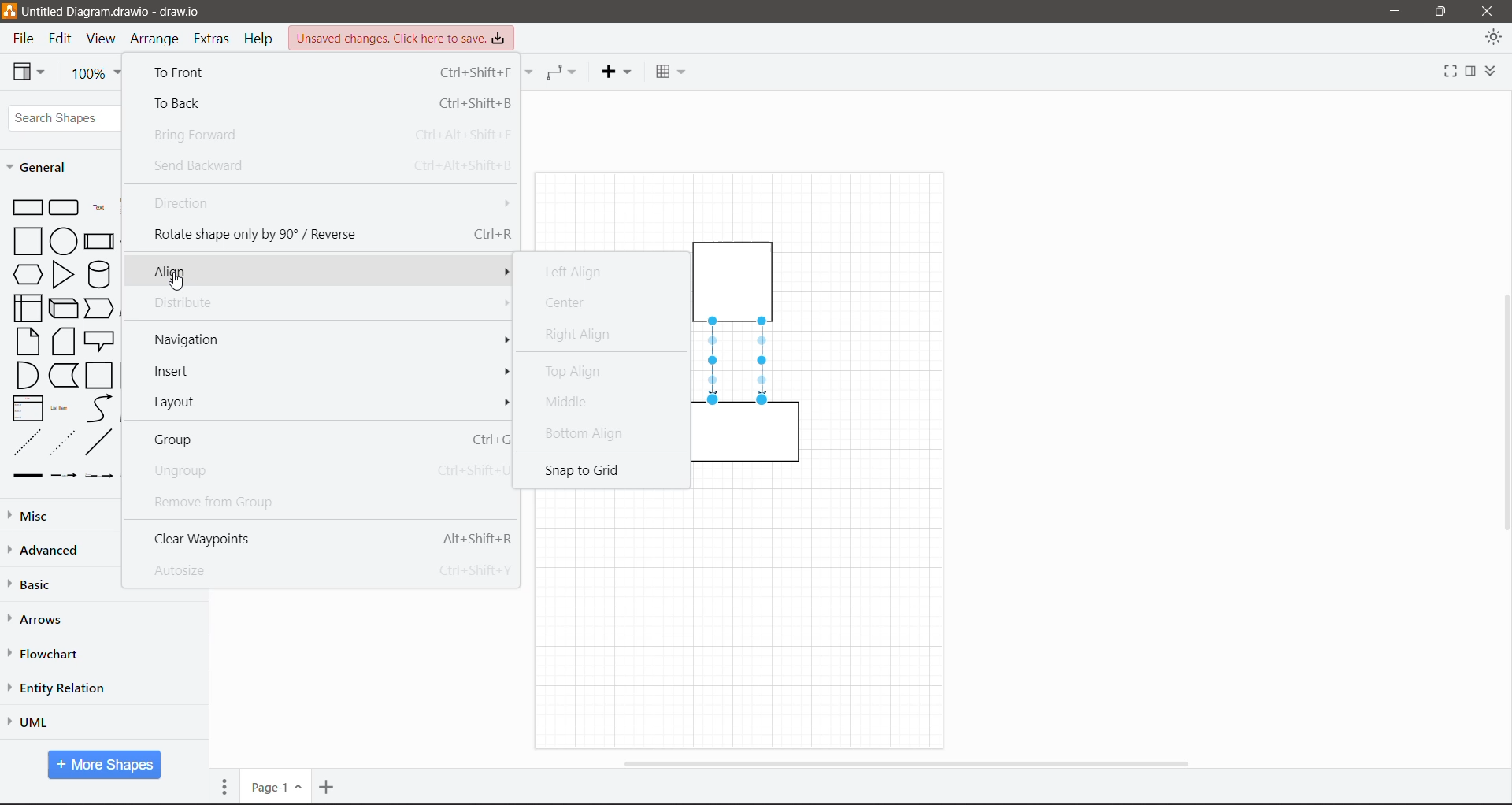 The height and width of the screenshot is (805, 1512). What do you see at coordinates (62, 307) in the screenshot?
I see `Cube` at bounding box center [62, 307].